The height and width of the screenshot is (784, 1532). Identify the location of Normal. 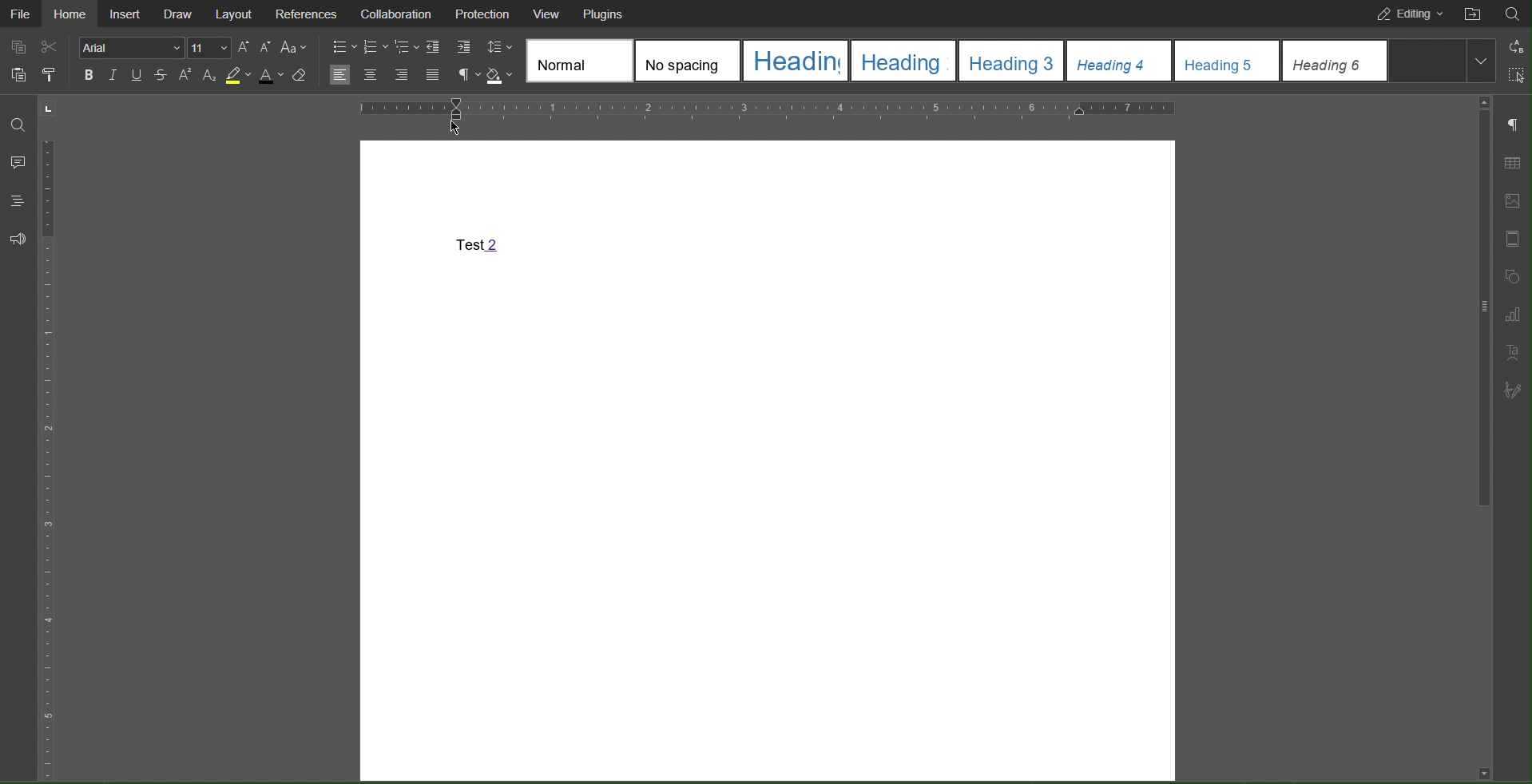
(575, 60).